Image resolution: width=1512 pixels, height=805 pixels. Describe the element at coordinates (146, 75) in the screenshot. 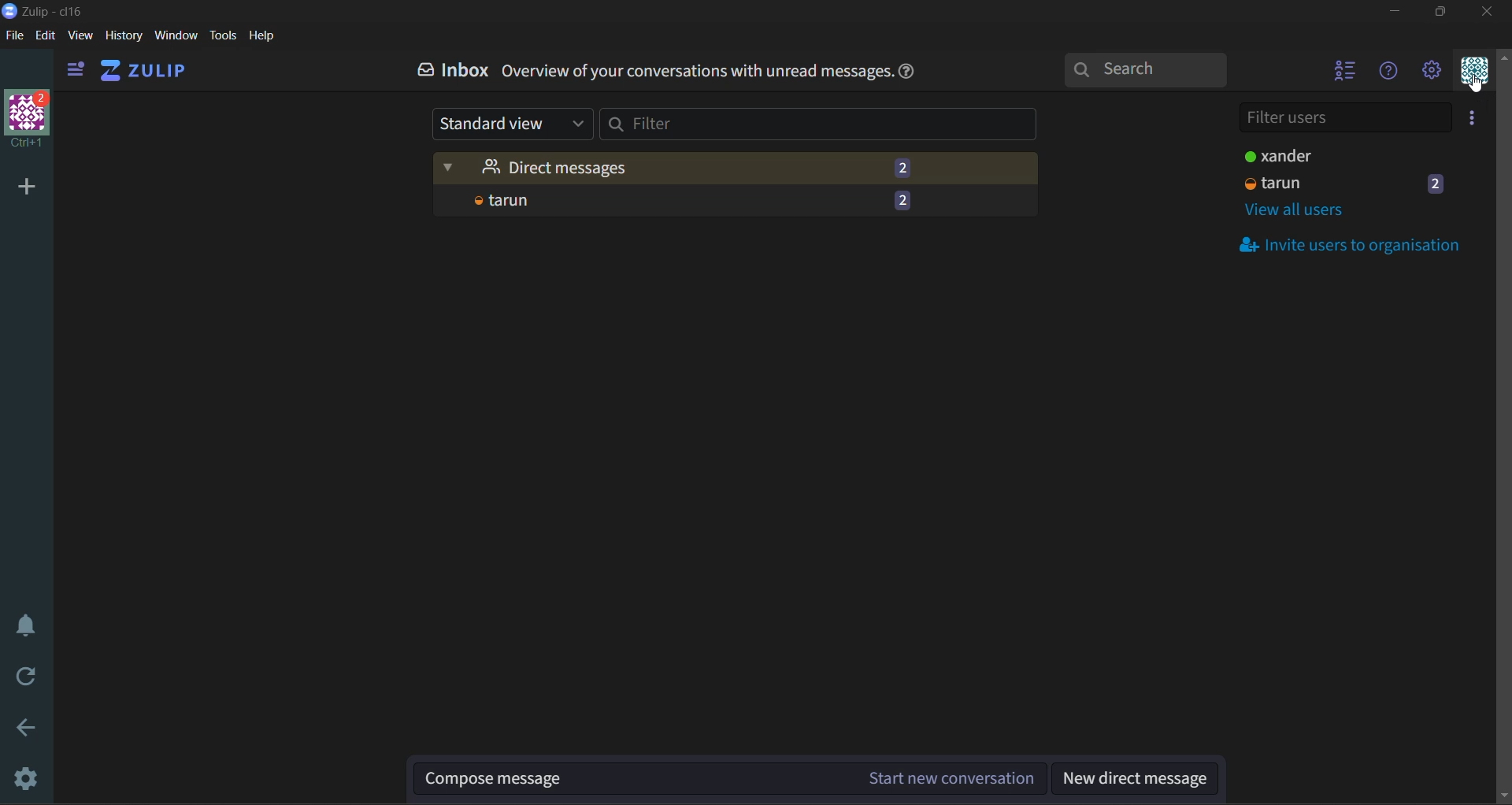

I see `view home` at that location.